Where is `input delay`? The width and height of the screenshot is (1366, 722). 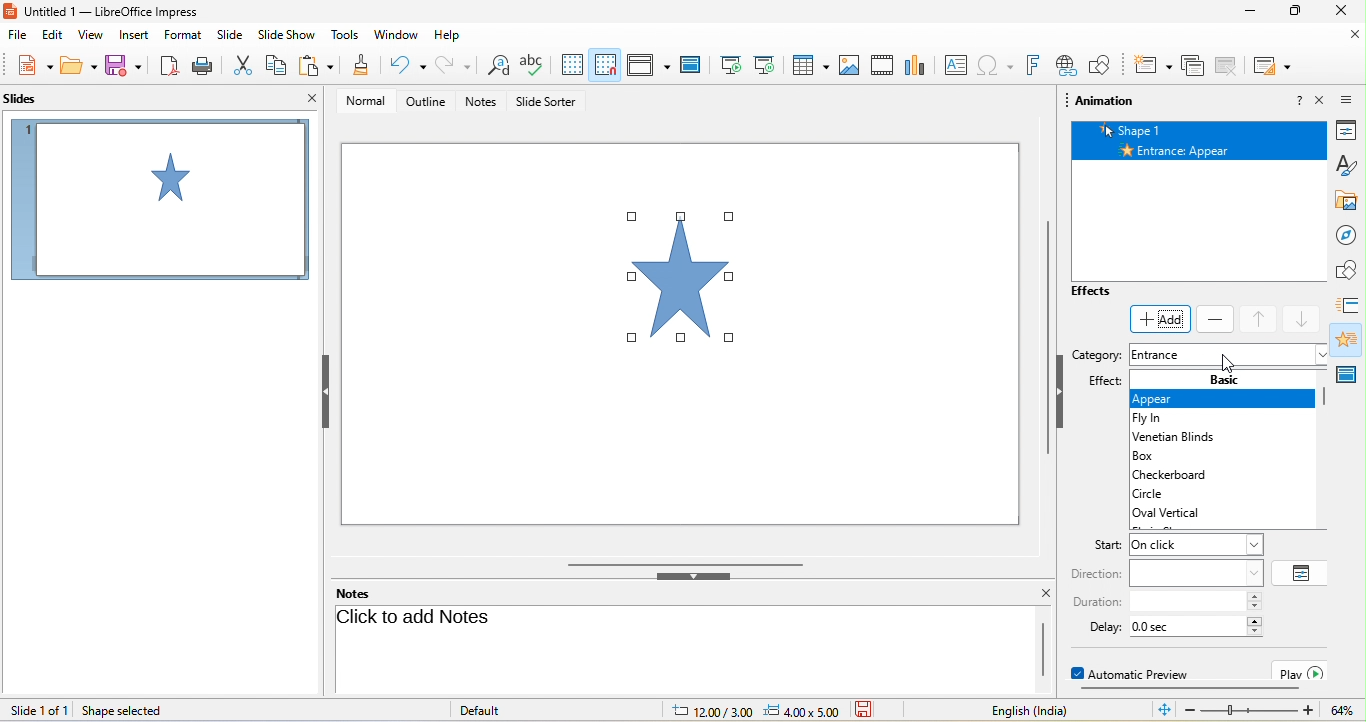
input delay is located at coordinates (1189, 626).